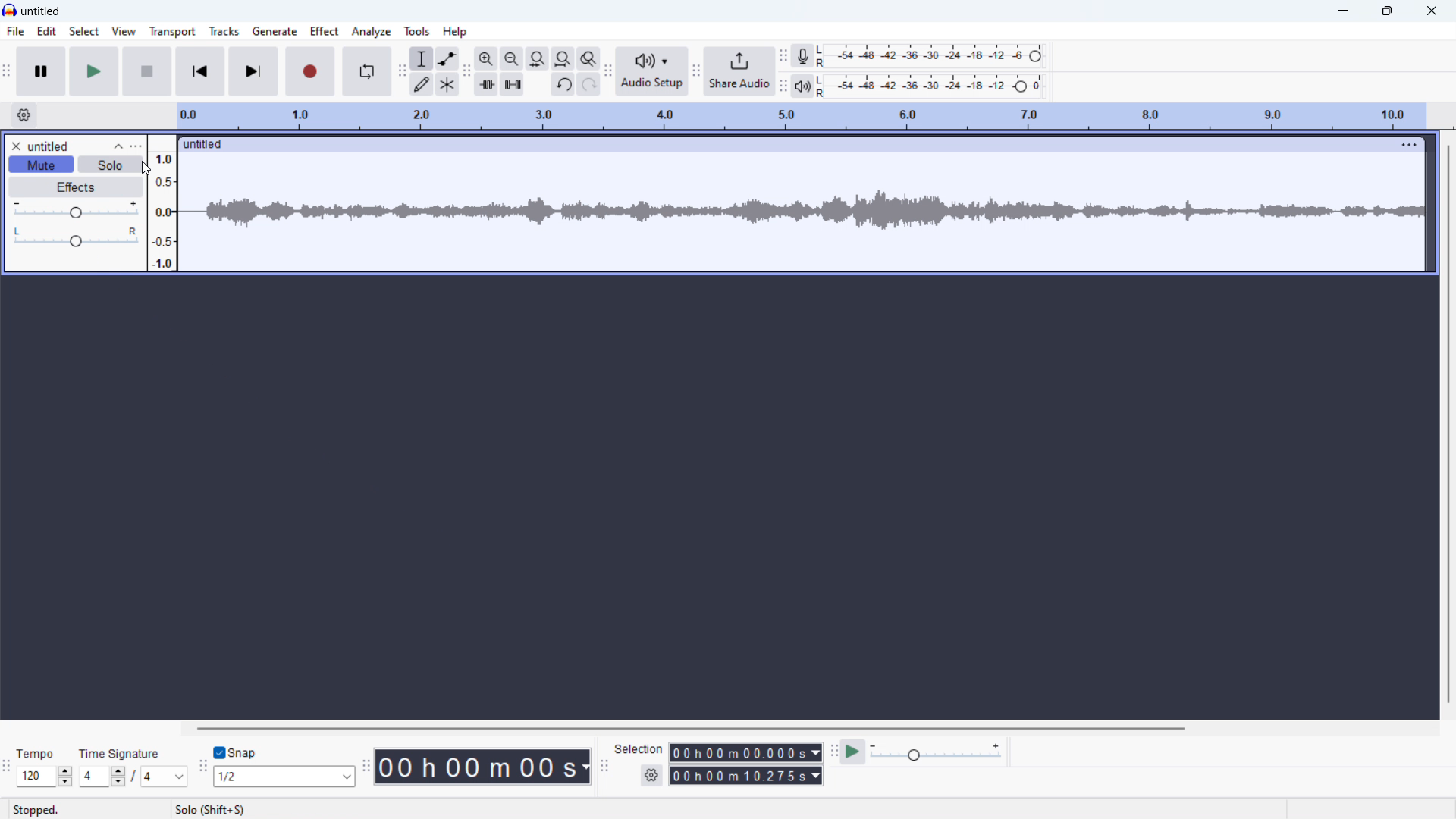 The width and height of the screenshot is (1456, 819). What do you see at coordinates (1386, 11) in the screenshot?
I see `maximize` at bounding box center [1386, 11].